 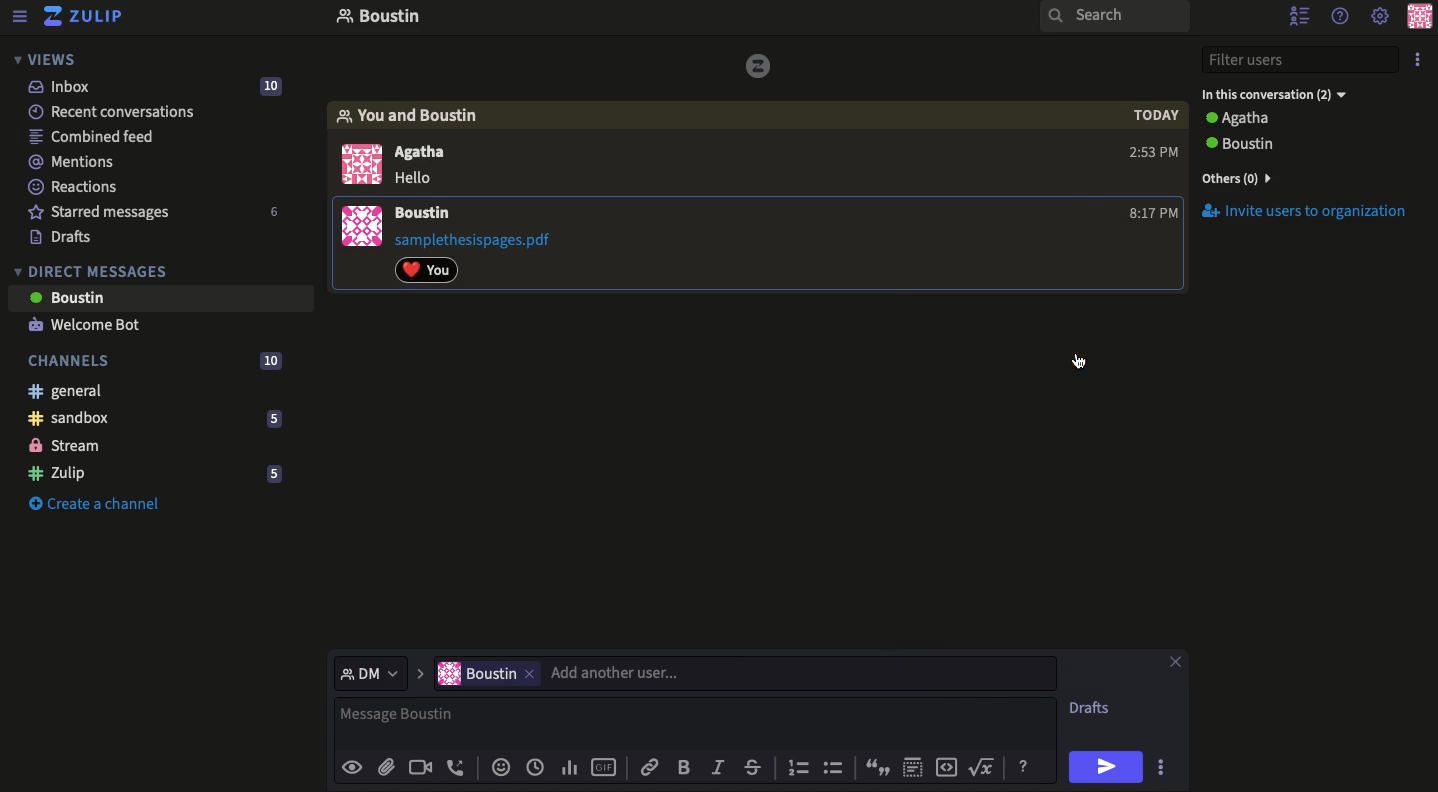 What do you see at coordinates (158, 476) in the screenshot?
I see `Zulip` at bounding box center [158, 476].